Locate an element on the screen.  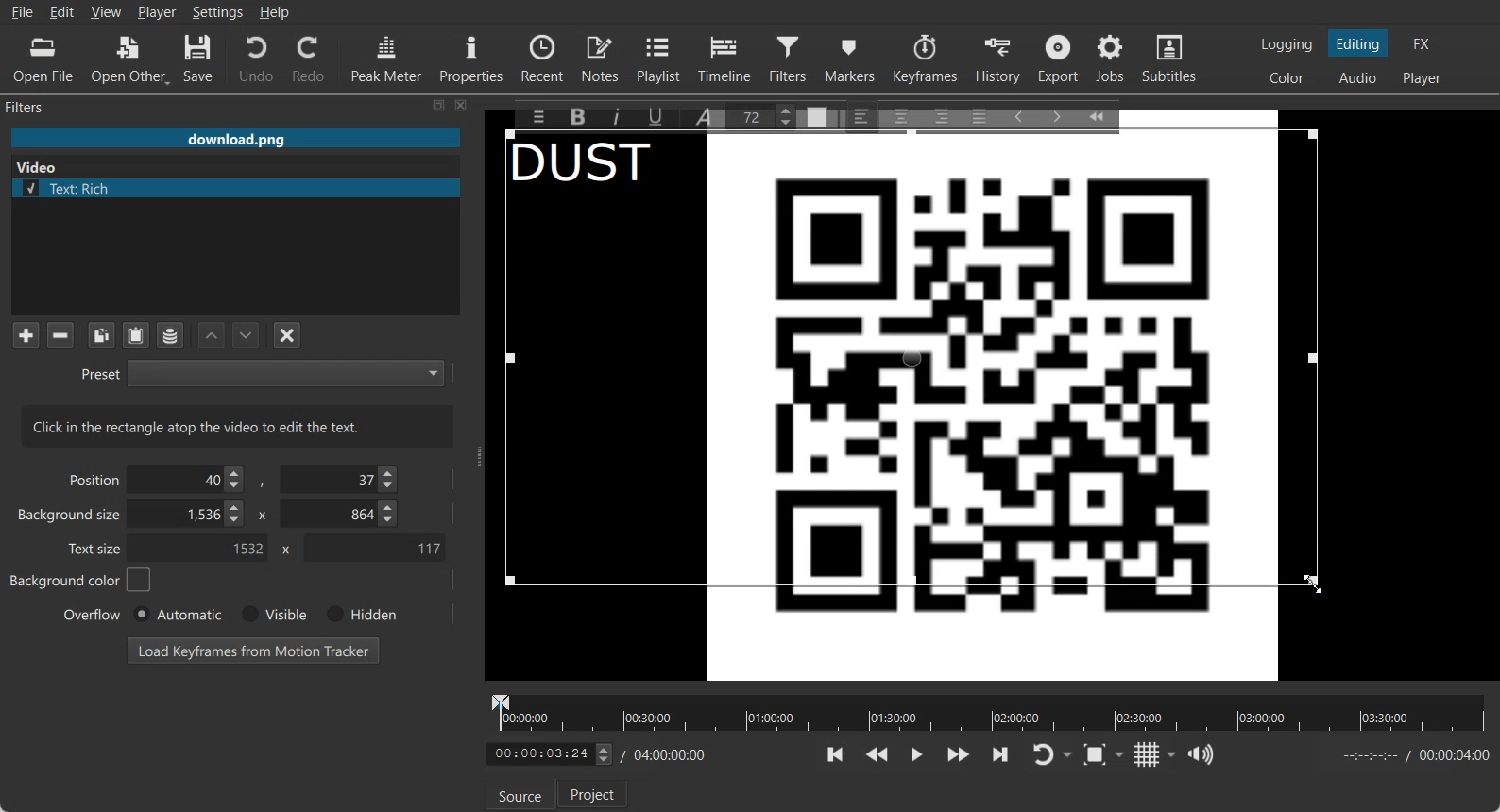
Text rich file is located at coordinates (243, 188).